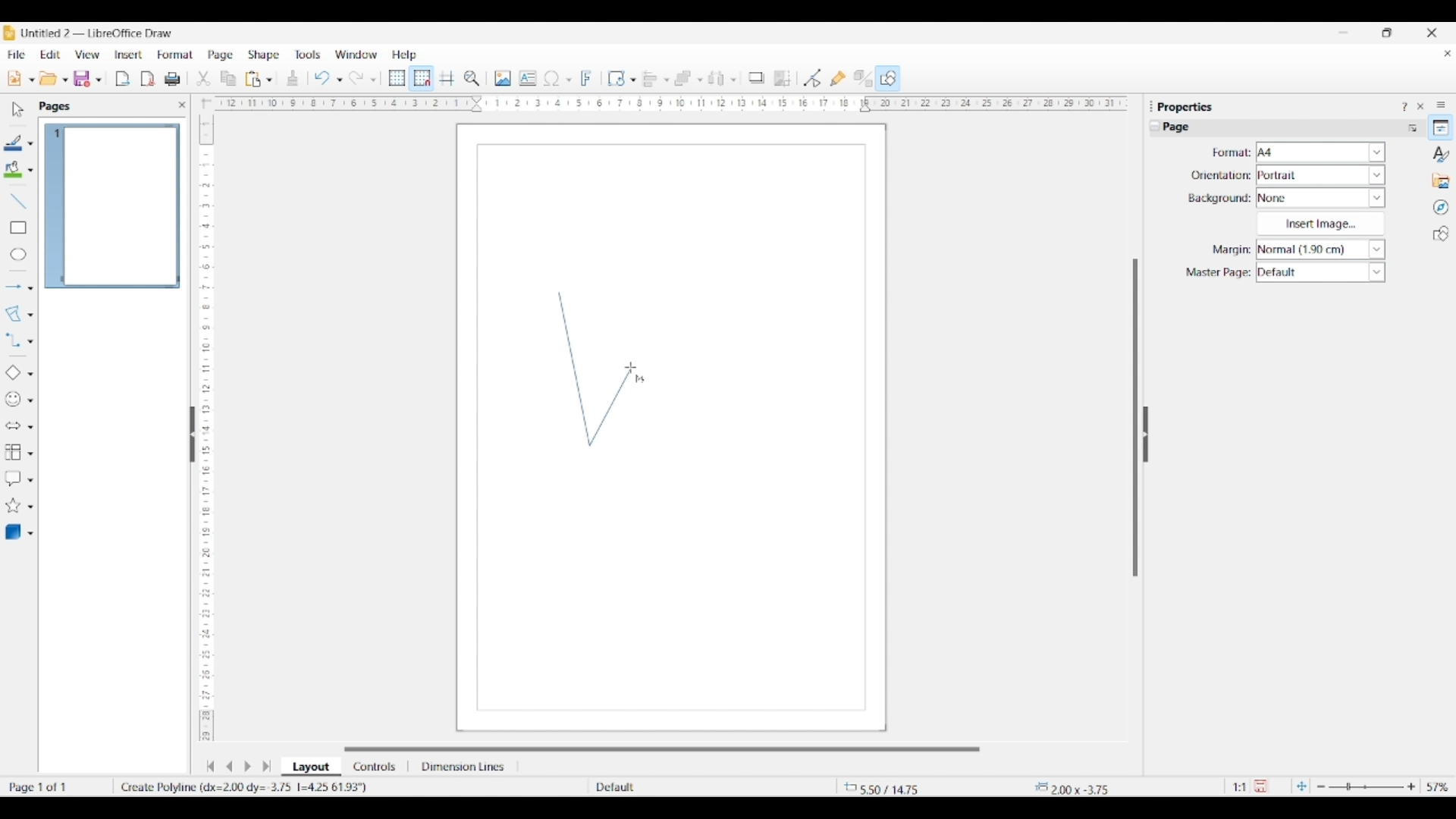  Describe the element at coordinates (610, 406) in the screenshot. I see `Line 2` at that location.